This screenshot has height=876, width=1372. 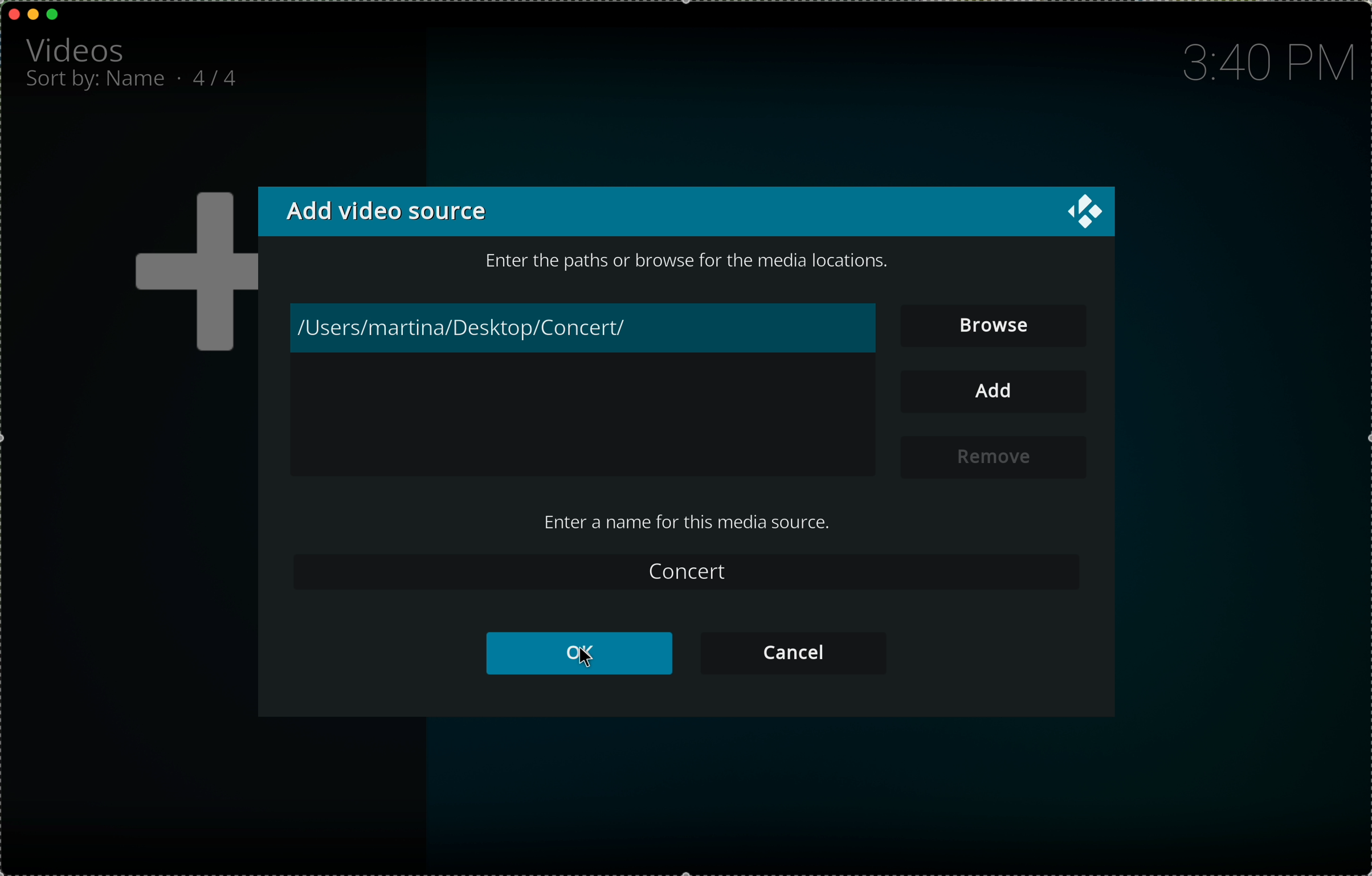 I want to click on Enter the paths or browse for the media locations., so click(x=694, y=262).